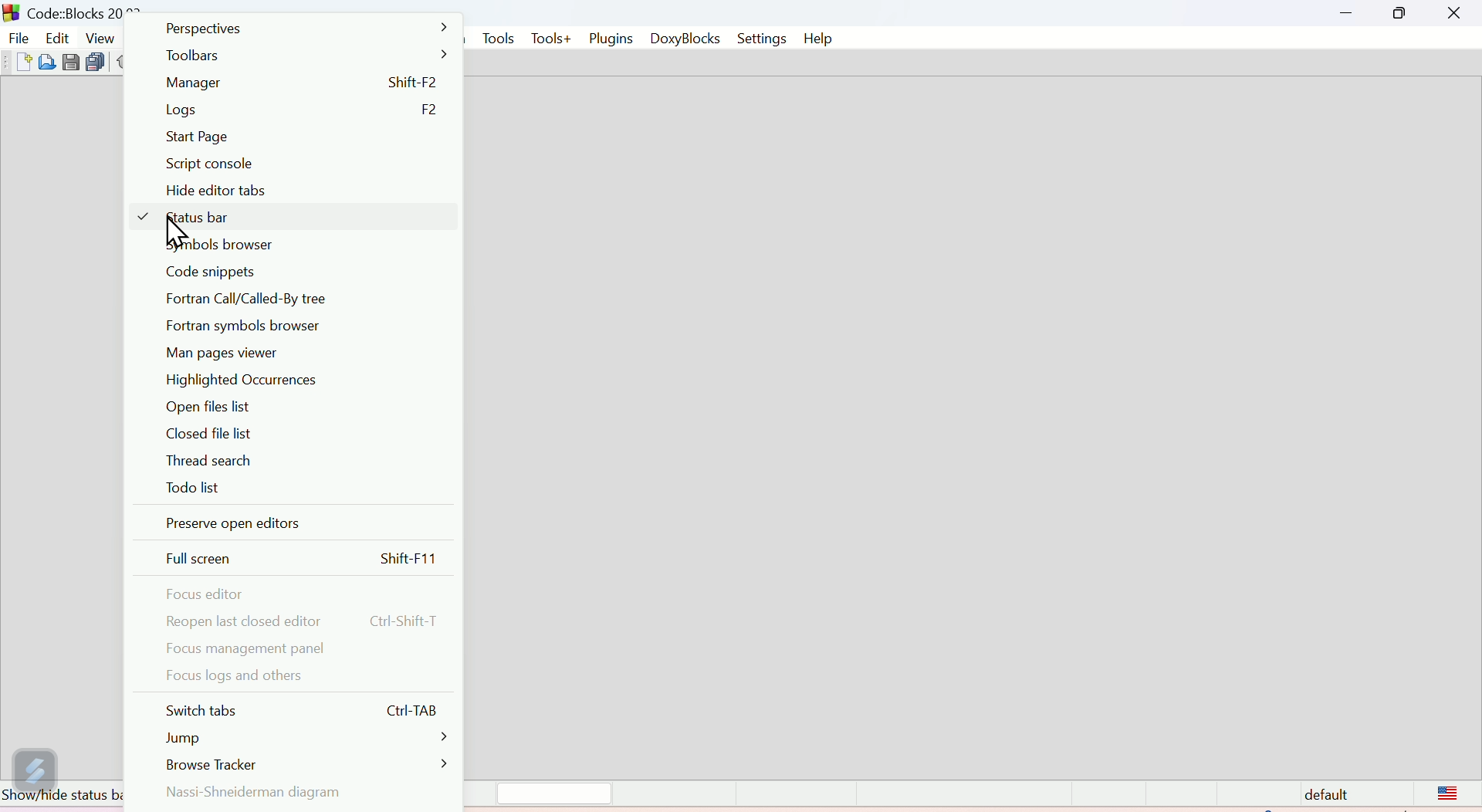 The width and height of the screenshot is (1482, 812). What do you see at coordinates (47, 66) in the screenshot?
I see `` at bounding box center [47, 66].